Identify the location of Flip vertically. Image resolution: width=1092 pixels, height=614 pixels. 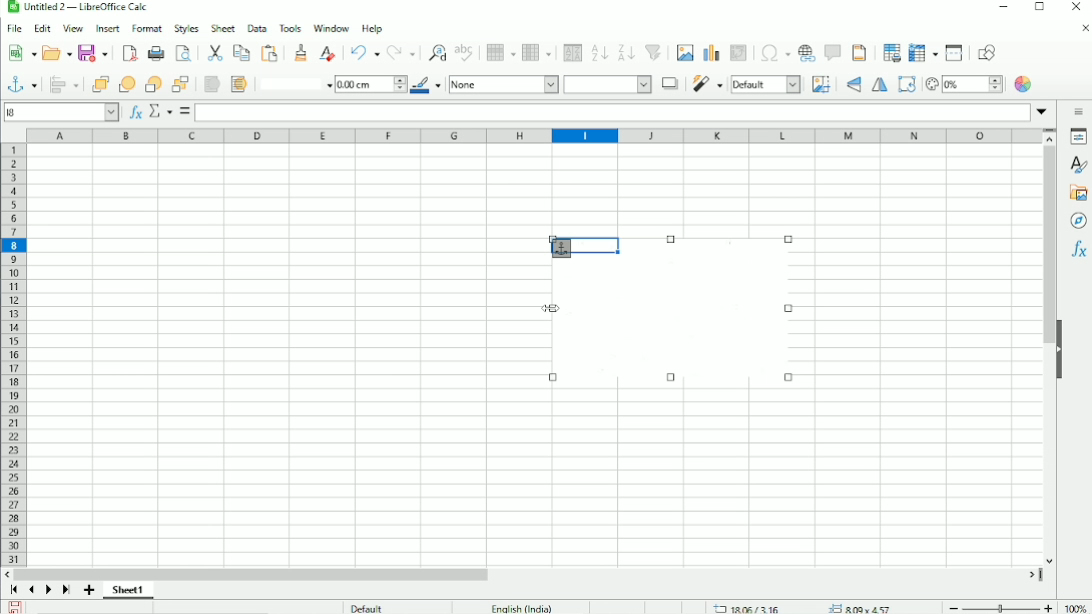
(851, 85).